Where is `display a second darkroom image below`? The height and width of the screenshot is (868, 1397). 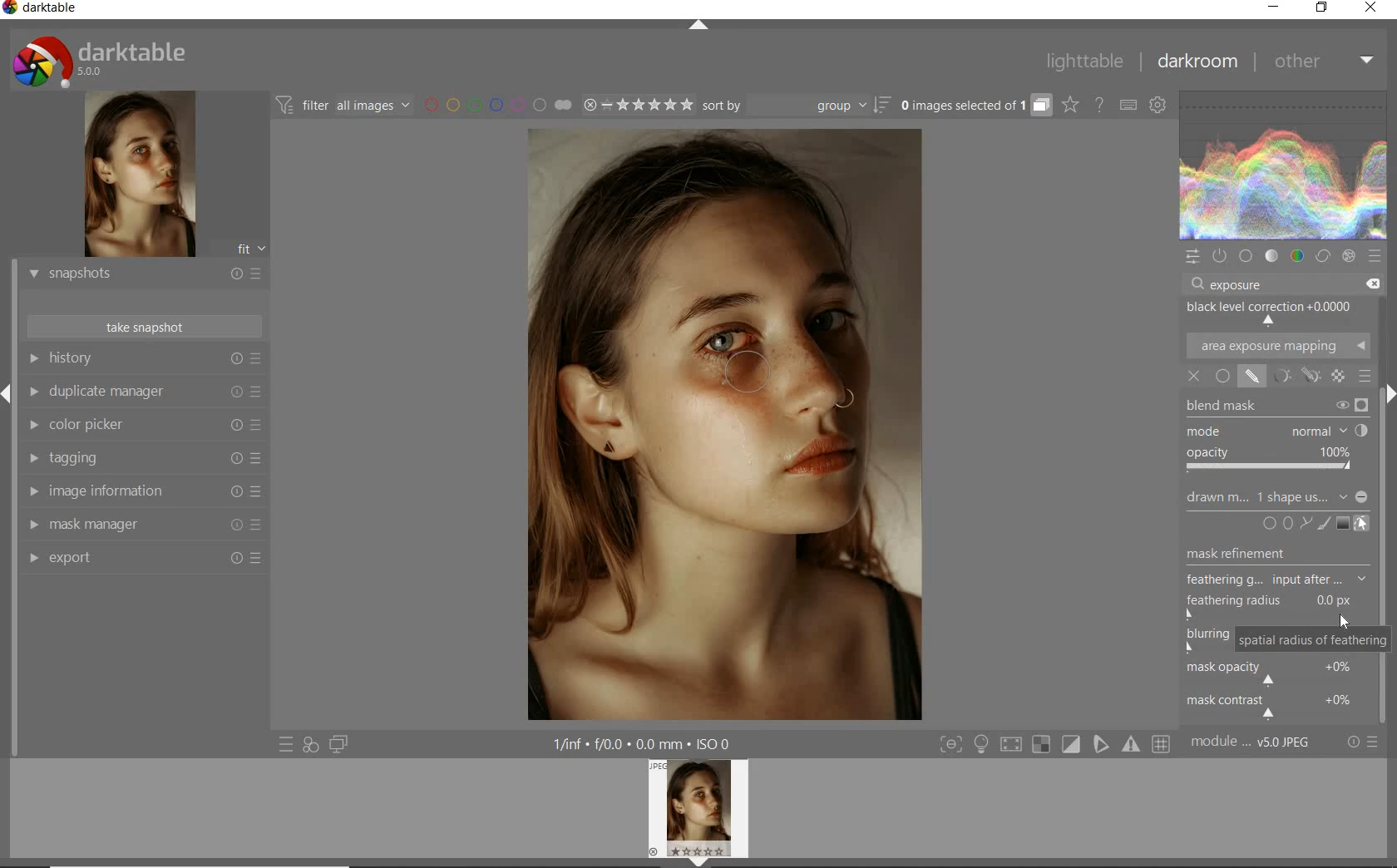
display a second darkroom image below is located at coordinates (335, 742).